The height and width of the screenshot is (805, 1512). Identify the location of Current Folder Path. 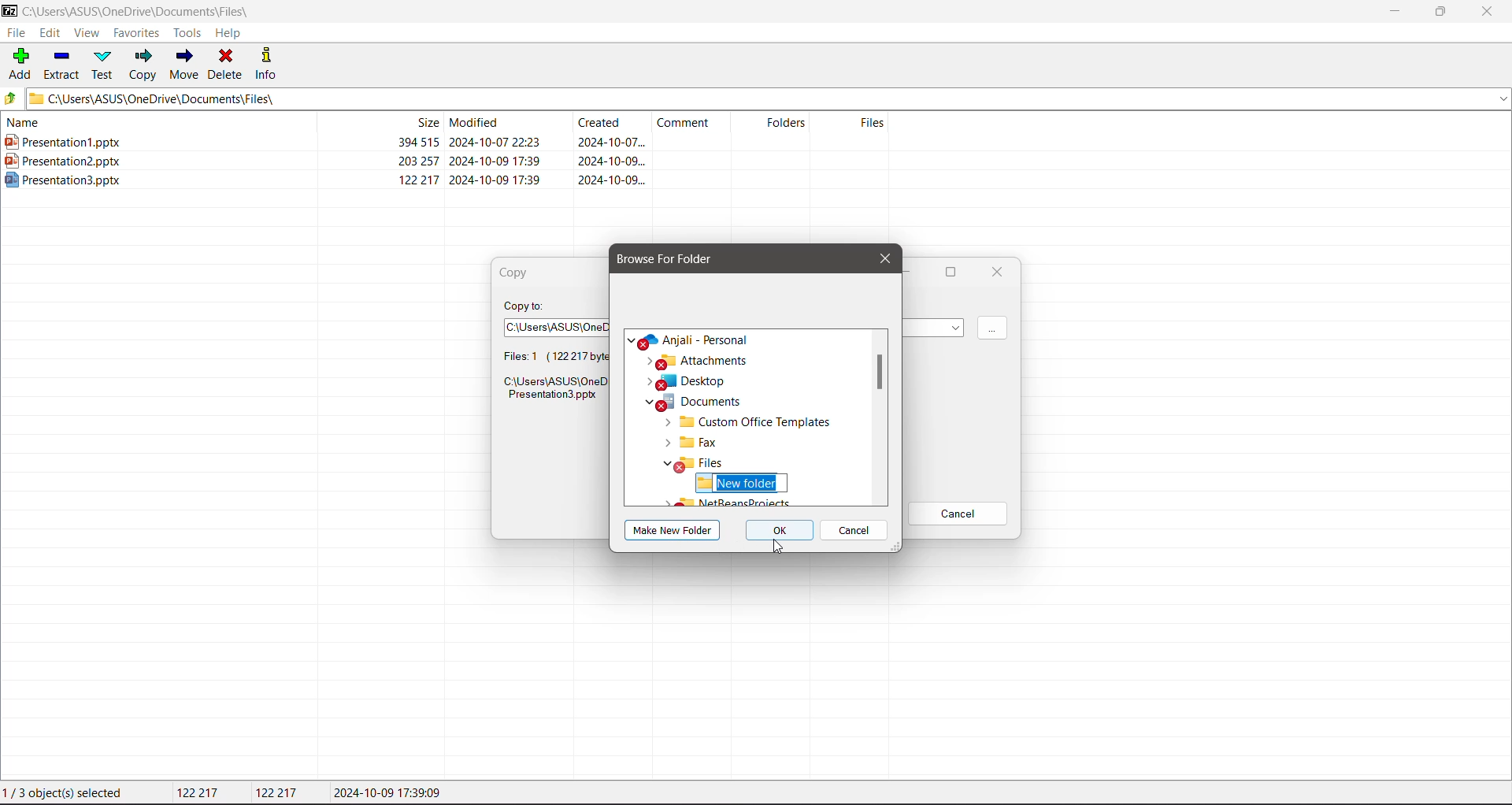
(147, 9).